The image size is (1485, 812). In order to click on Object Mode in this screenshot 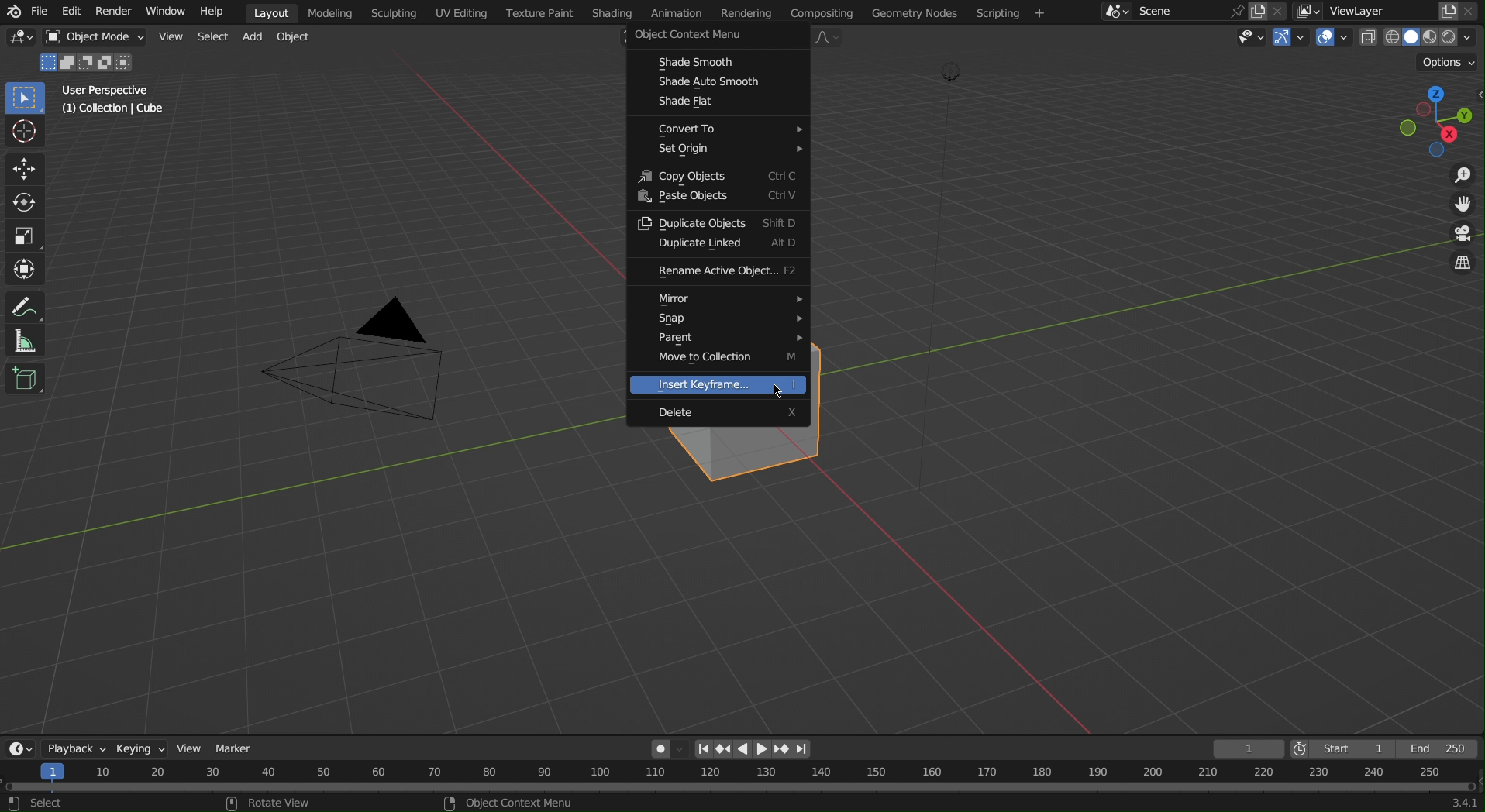, I will do `click(94, 37)`.